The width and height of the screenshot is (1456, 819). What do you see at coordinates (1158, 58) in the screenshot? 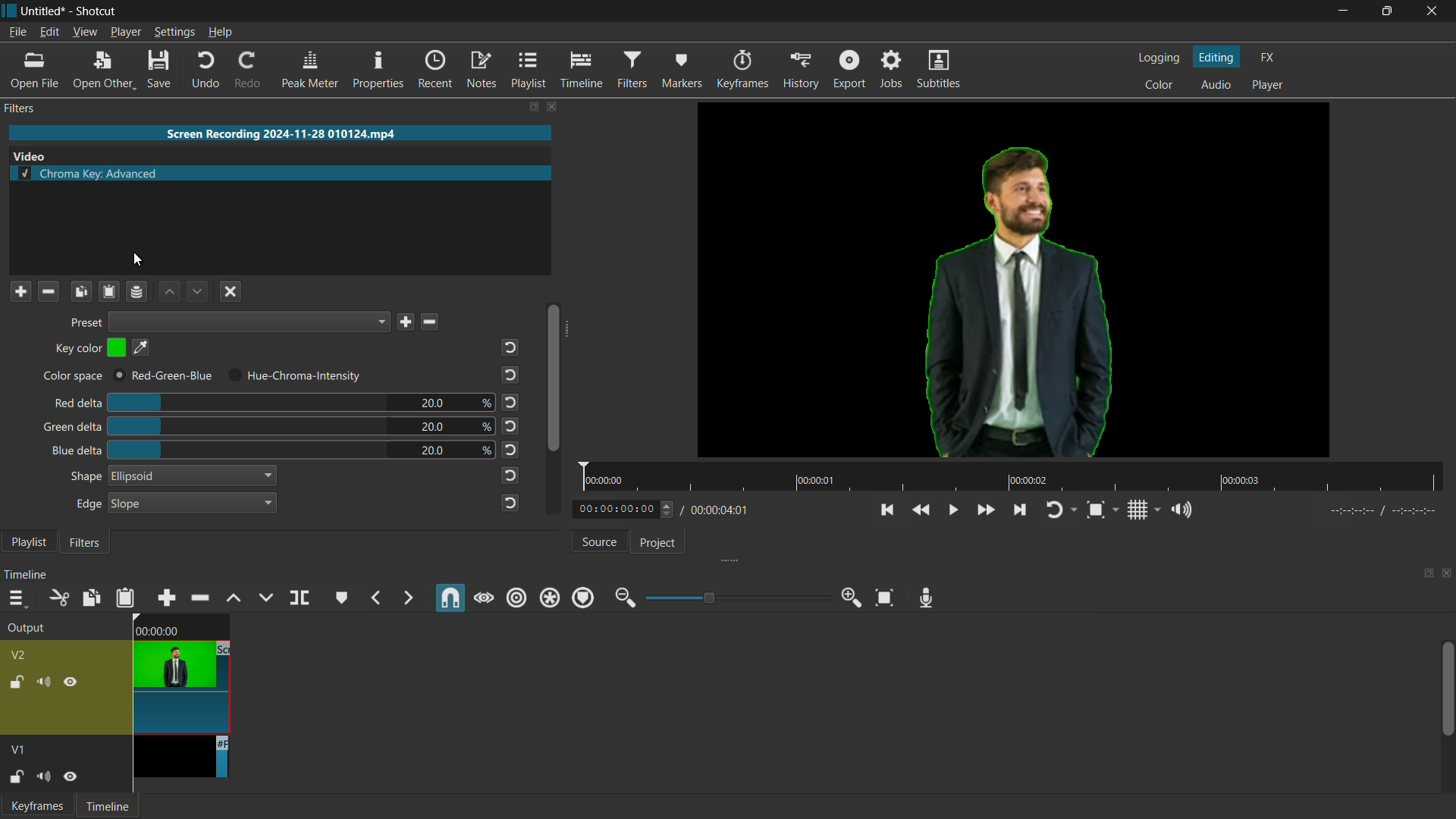
I see `logging` at bounding box center [1158, 58].